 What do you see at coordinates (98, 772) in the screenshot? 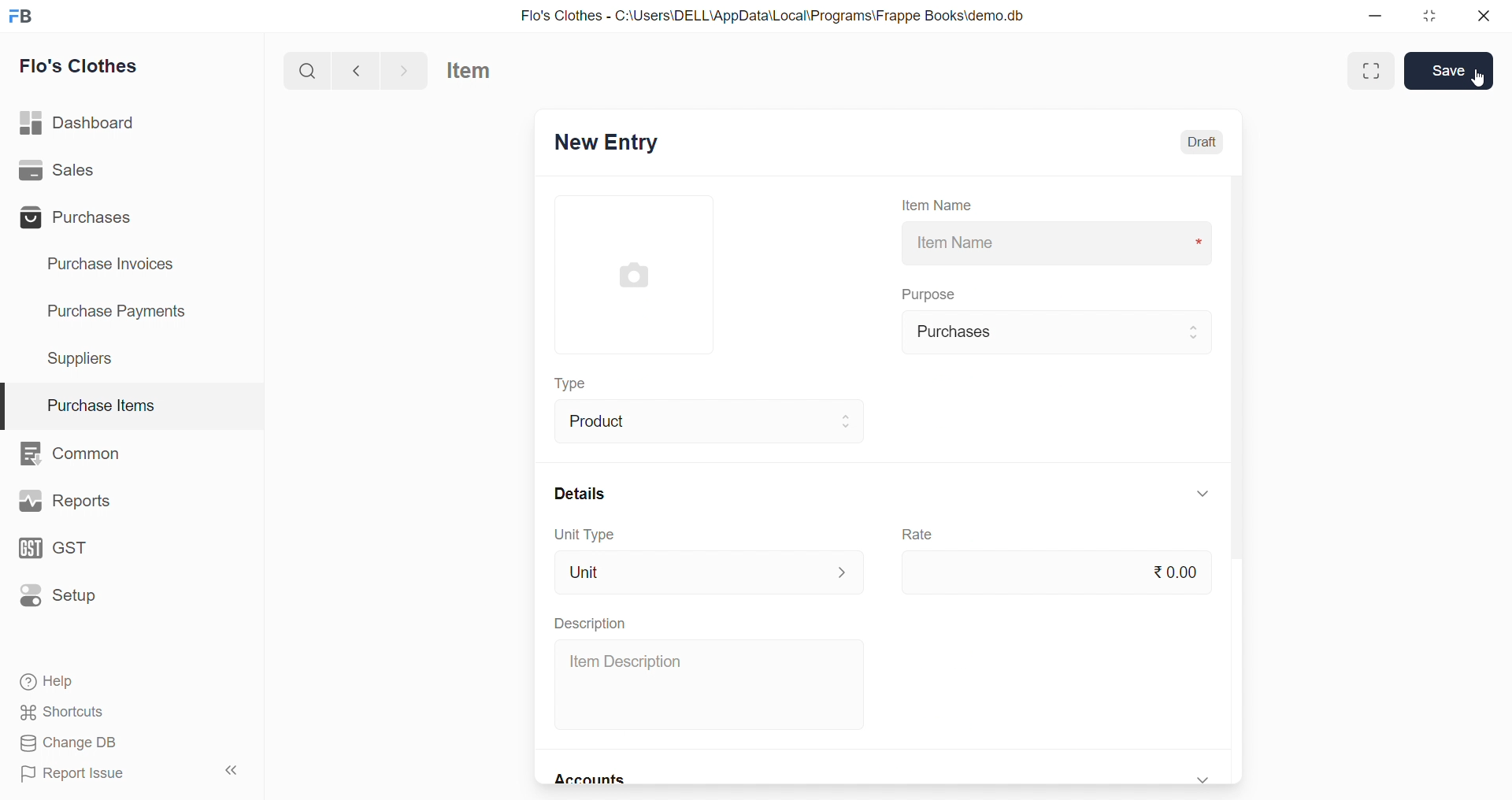
I see `Report Issue` at bounding box center [98, 772].